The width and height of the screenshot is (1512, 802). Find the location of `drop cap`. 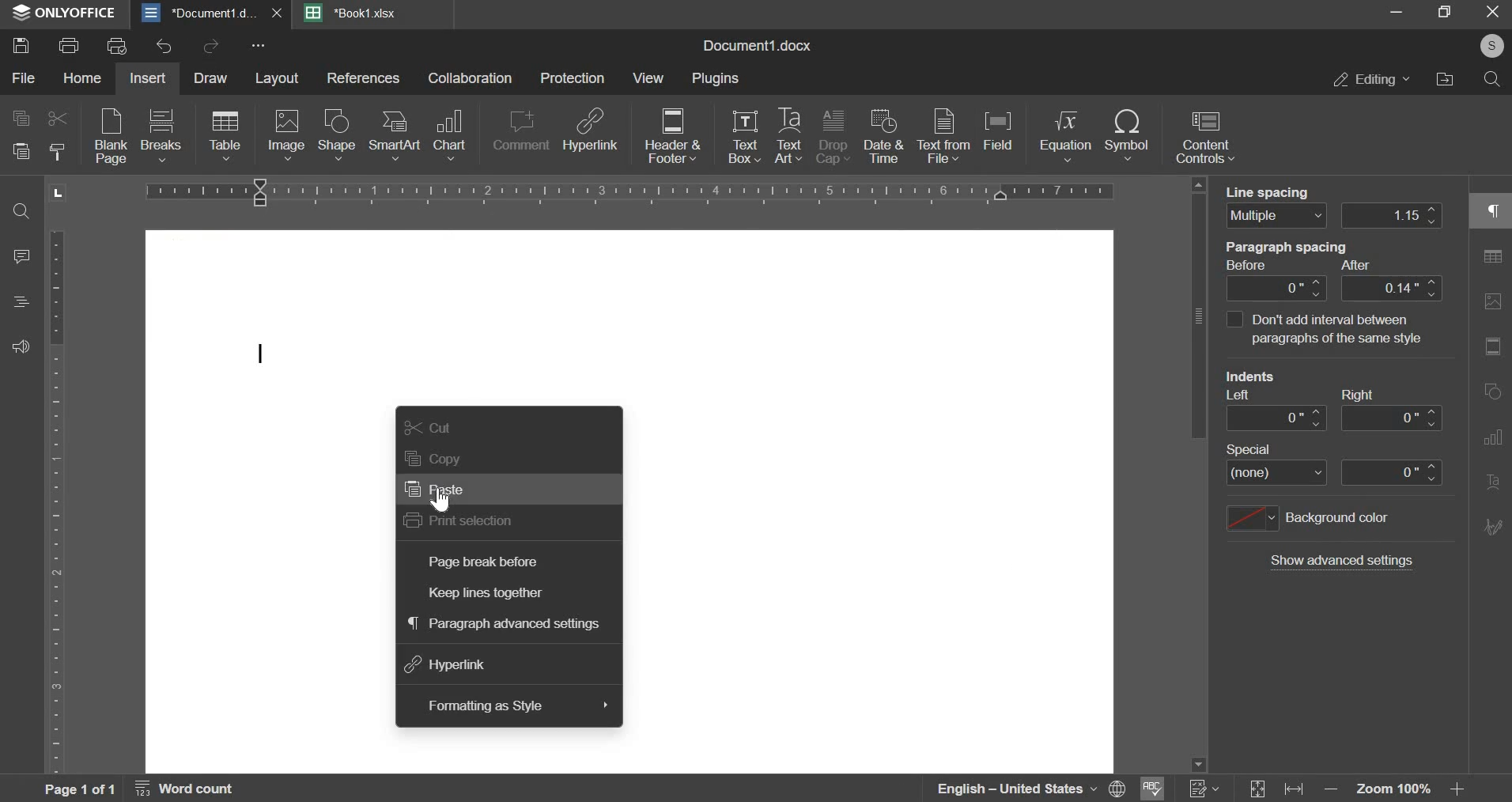

drop cap is located at coordinates (833, 138).